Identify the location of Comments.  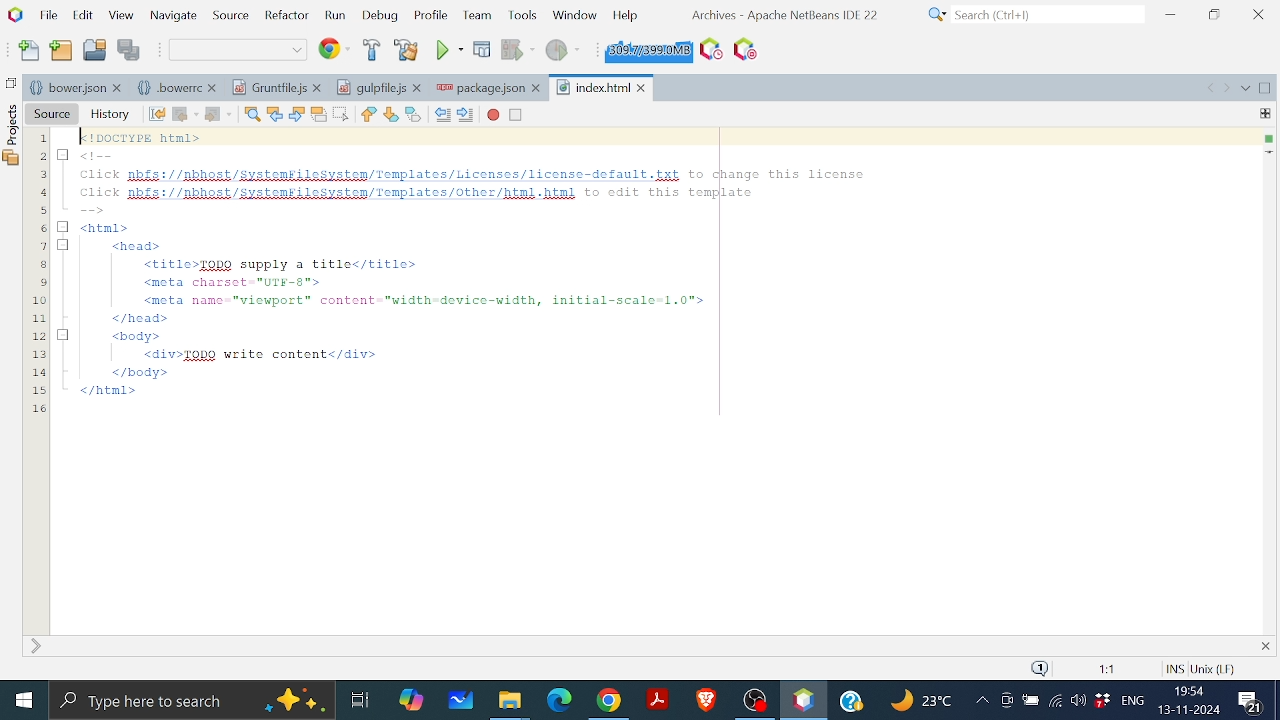
(1253, 702).